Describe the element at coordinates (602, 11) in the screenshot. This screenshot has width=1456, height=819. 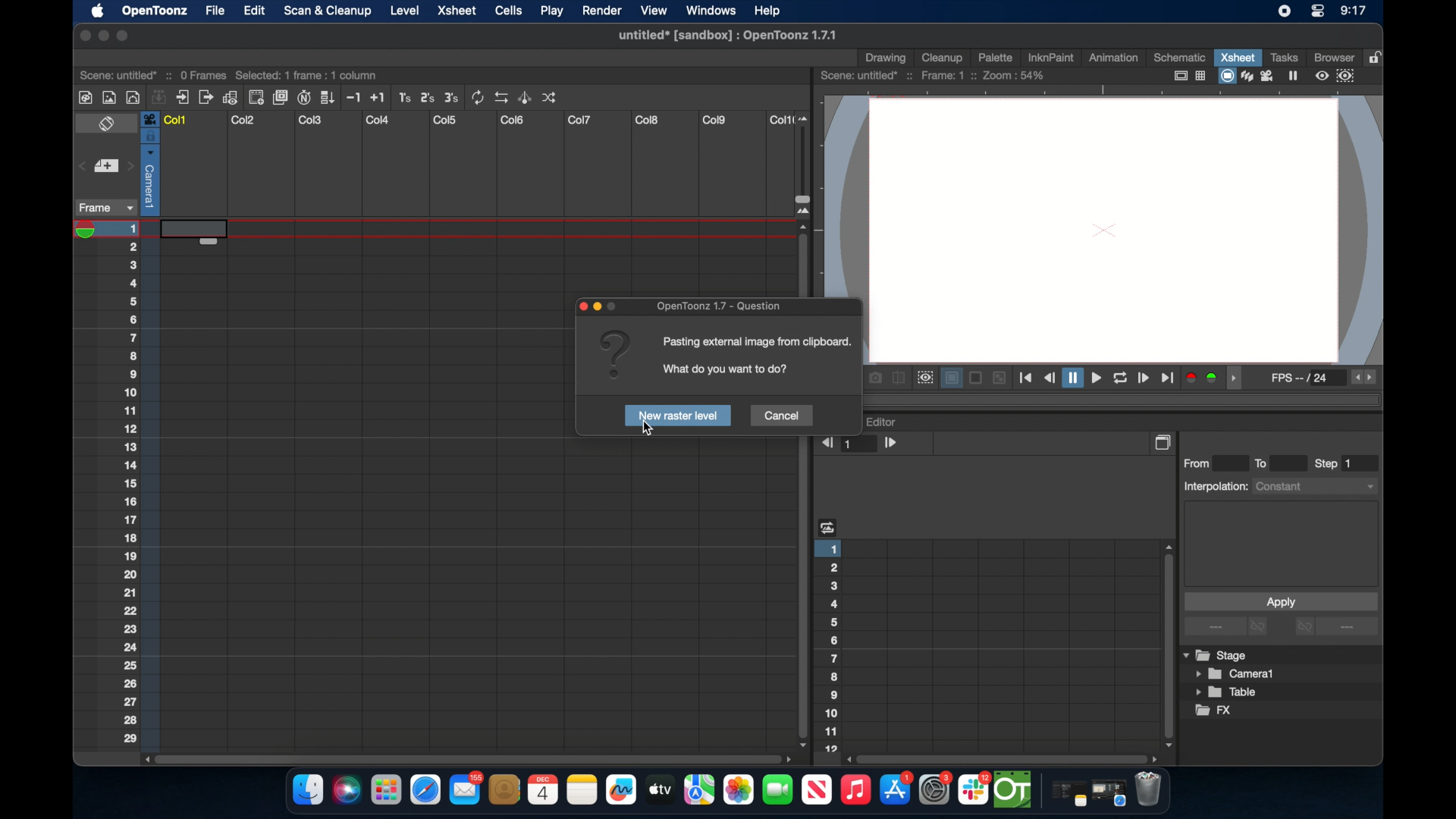
I see `render` at that location.